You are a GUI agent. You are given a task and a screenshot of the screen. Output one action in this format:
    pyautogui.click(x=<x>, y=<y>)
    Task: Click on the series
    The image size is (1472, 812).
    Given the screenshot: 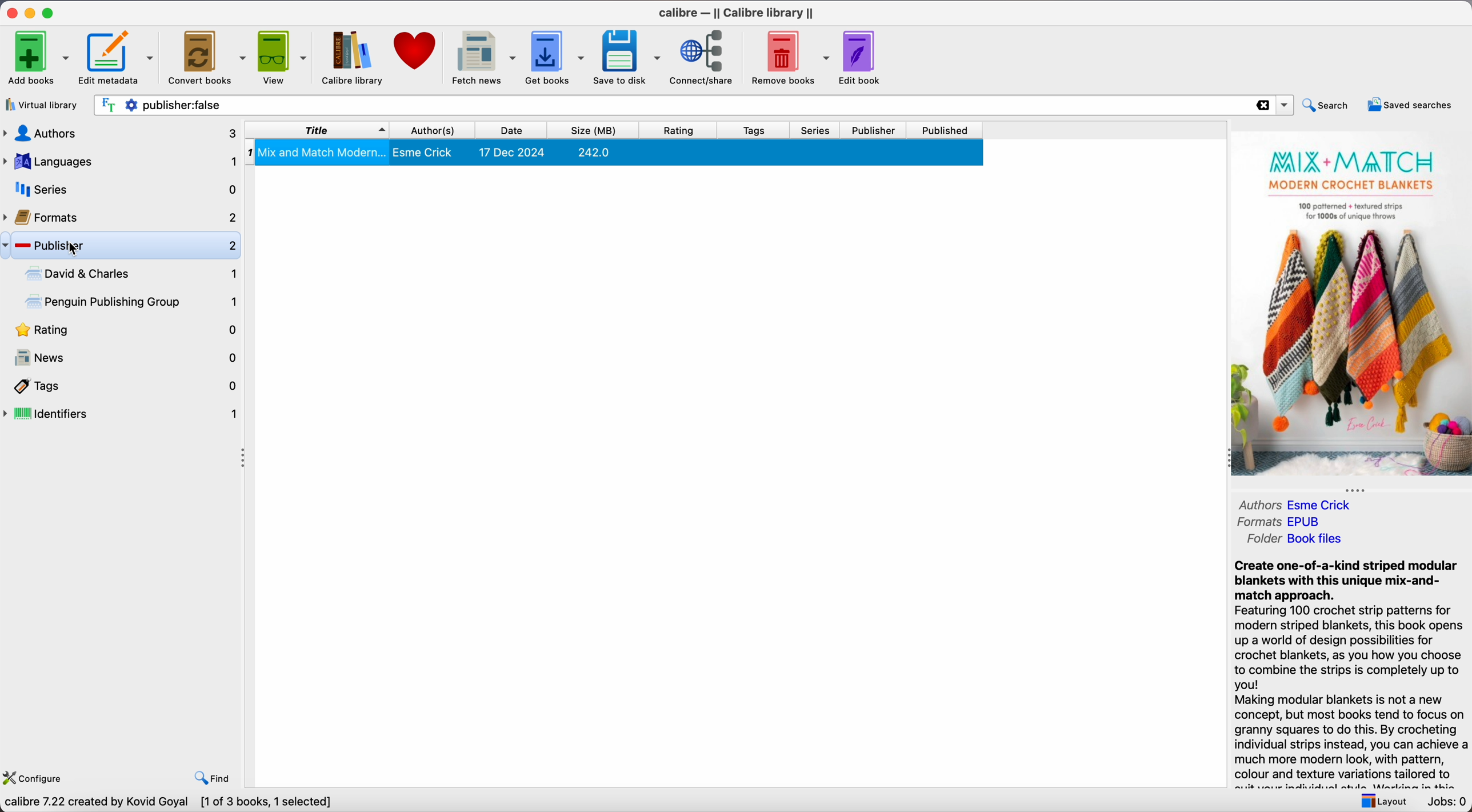 What is the action you would take?
    pyautogui.click(x=819, y=130)
    